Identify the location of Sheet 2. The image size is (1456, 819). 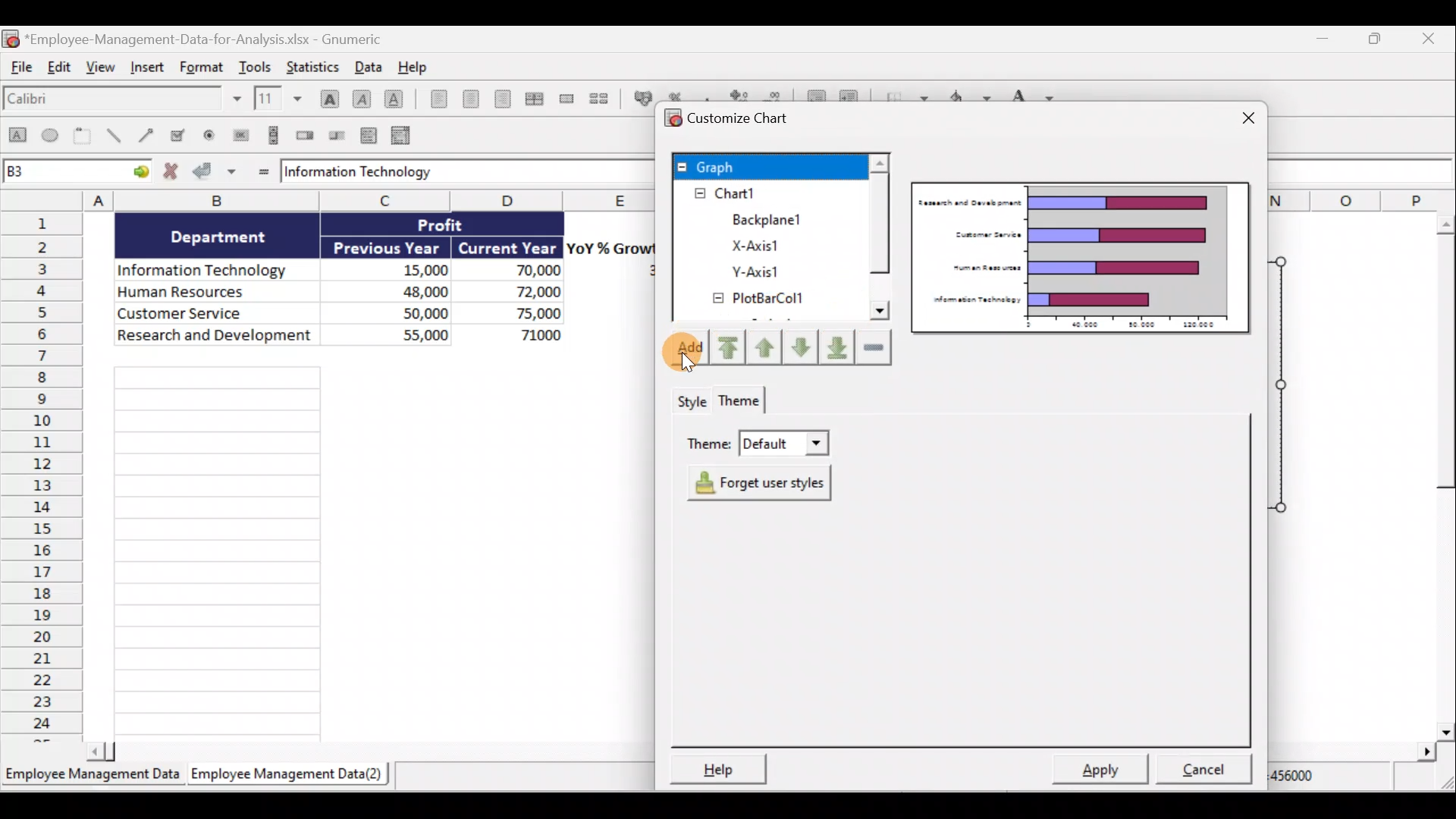
(290, 774).